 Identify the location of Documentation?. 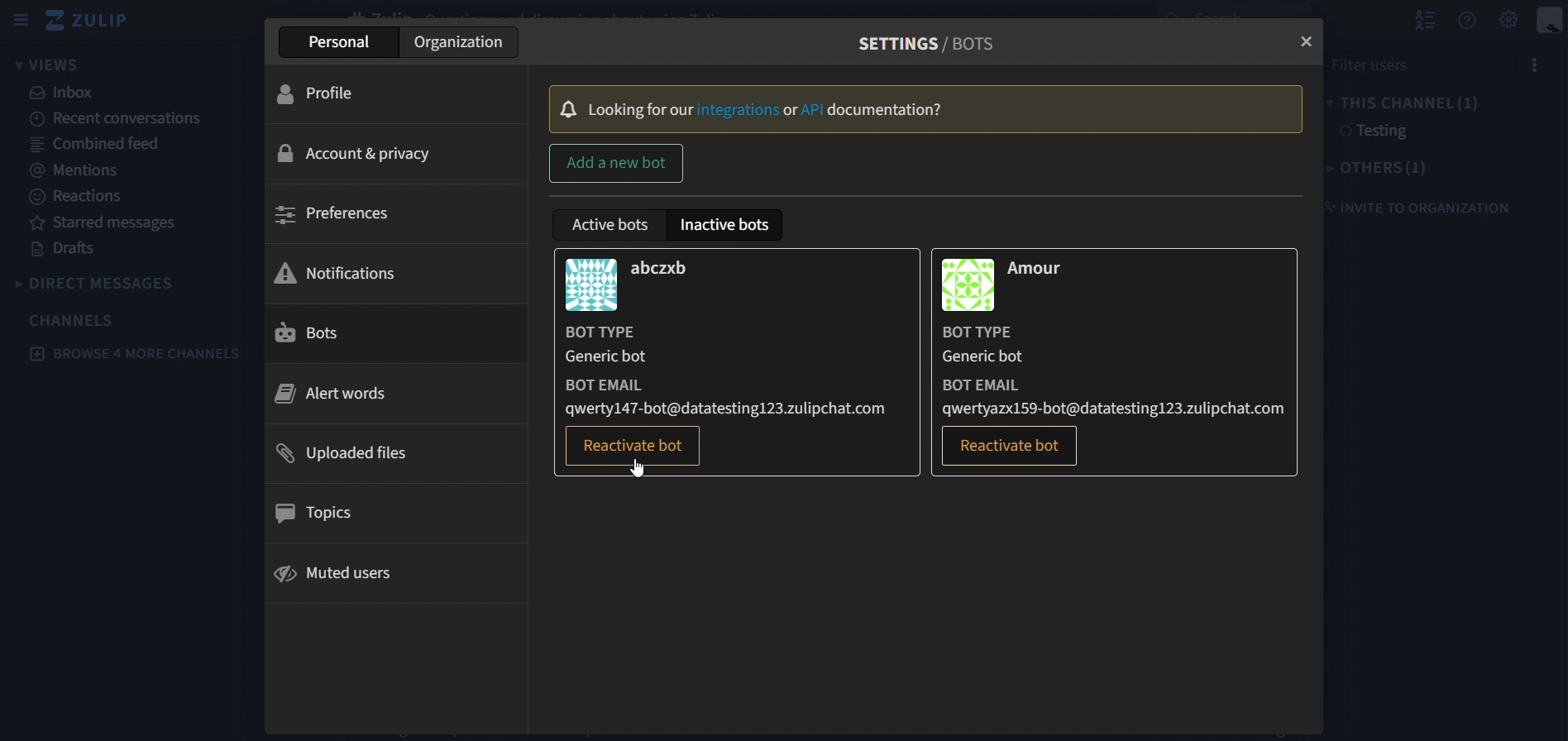
(885, 110).